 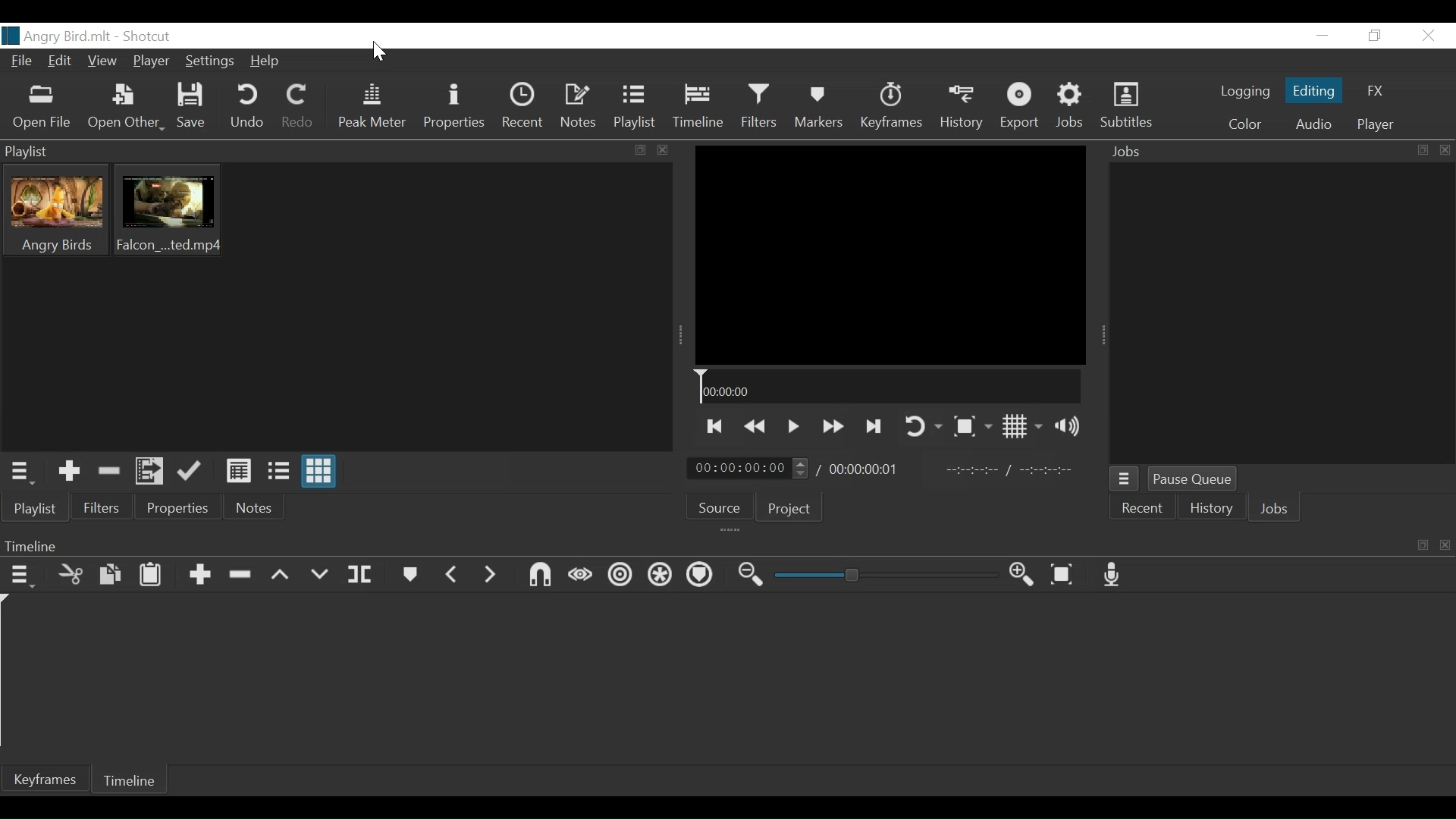 I want to click on Media Viewer, so click(x=890, y=255).